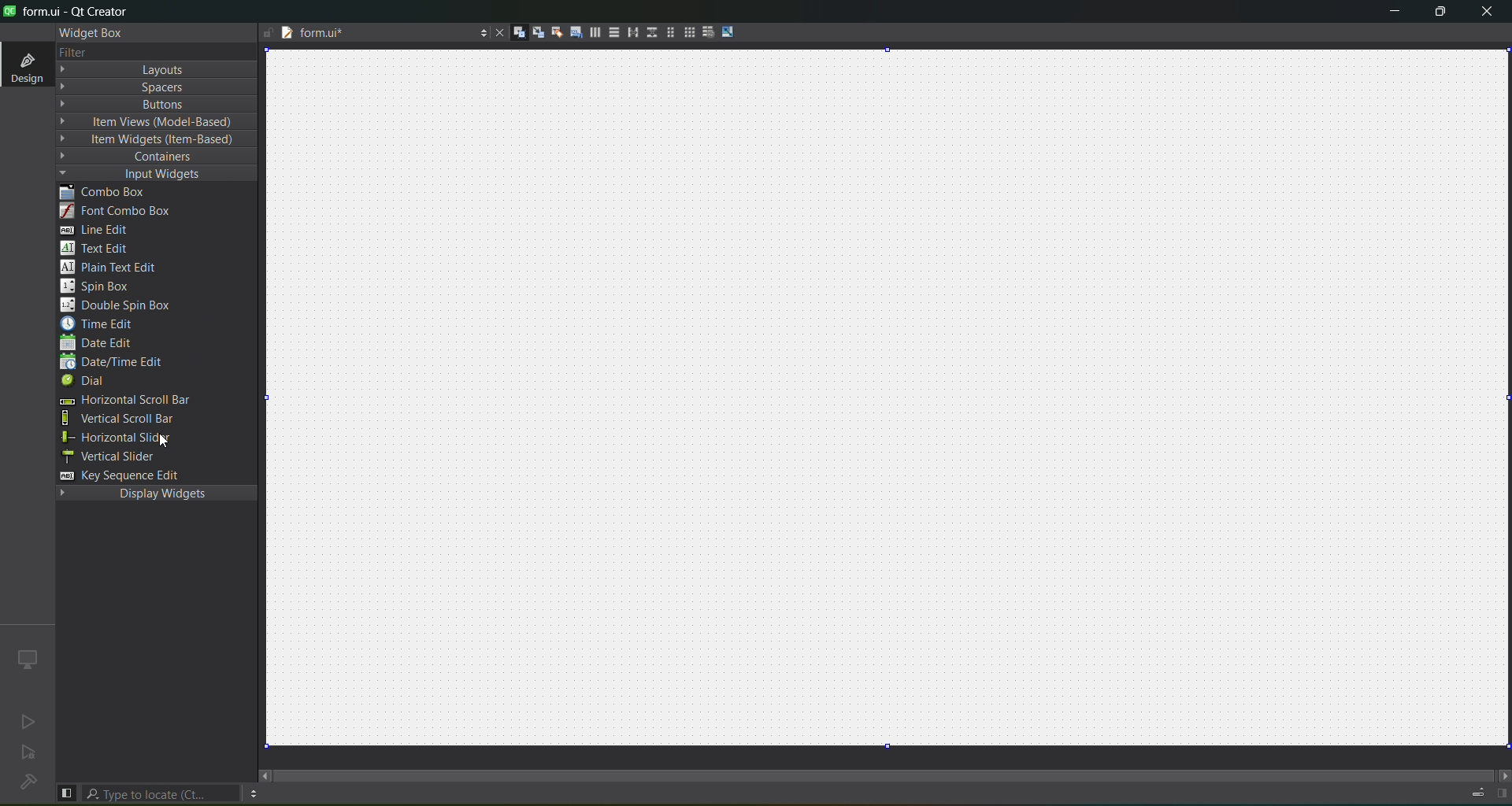  I want to click on break layout, so click(710, 32).